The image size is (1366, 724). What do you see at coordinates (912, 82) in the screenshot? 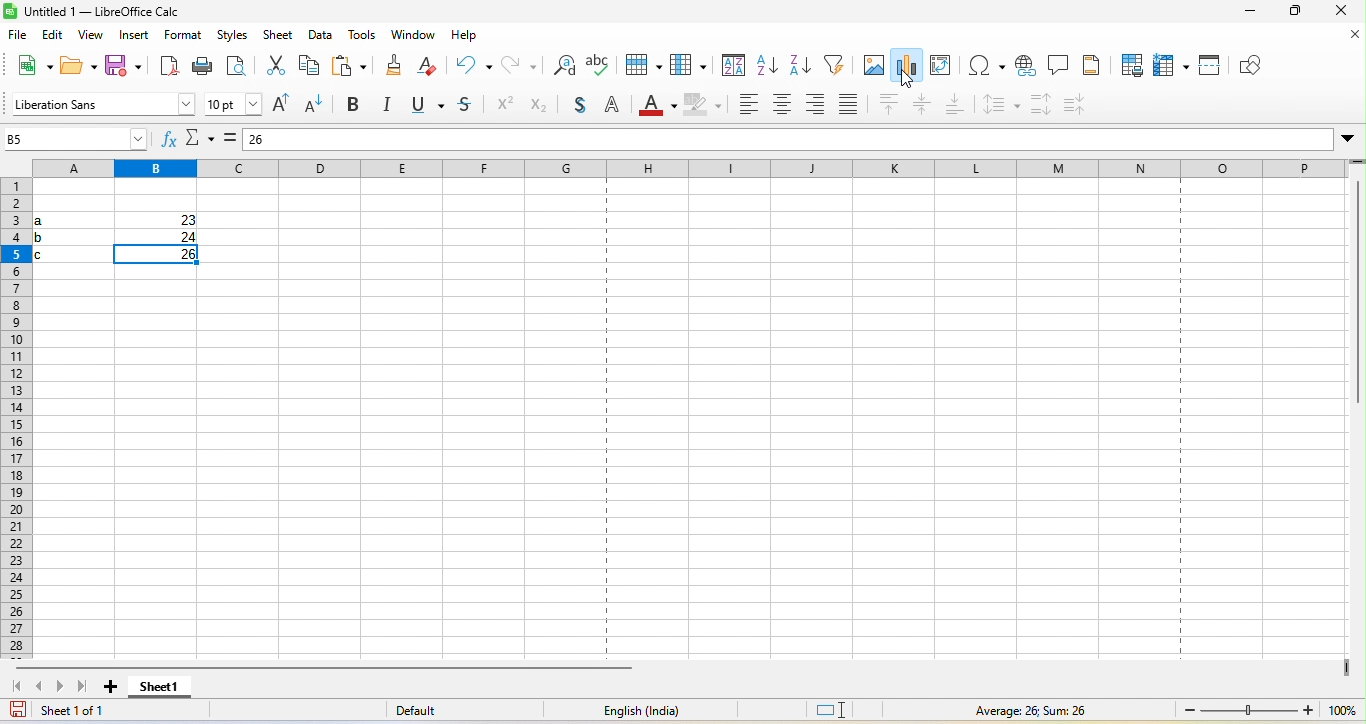
I see `cursor movement` at bounding box center [912, 82].